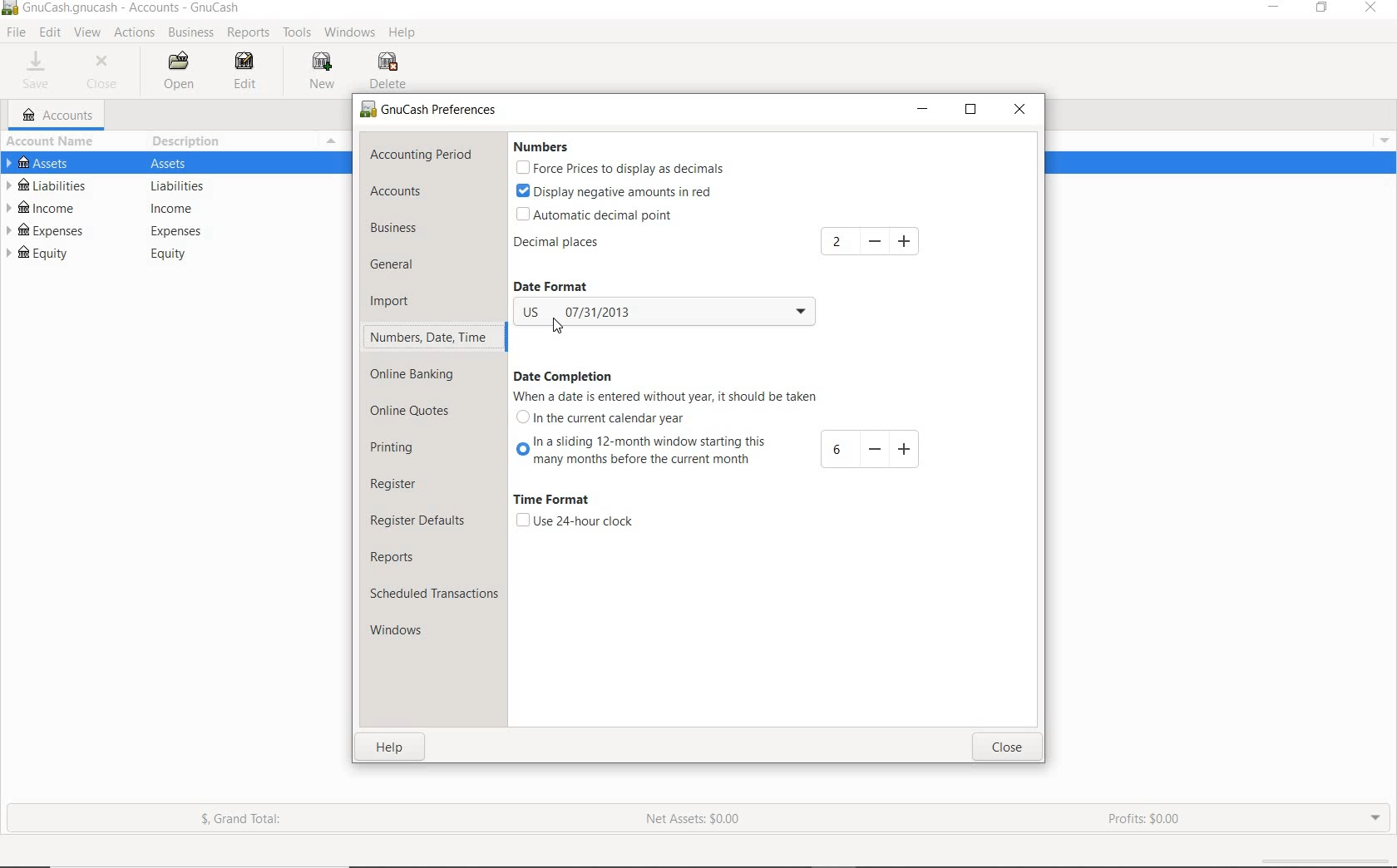 The image size is (1397, 868). What do you see at coordinates (664, 313) in the screenshot?
I see `specify date format` at bounding box center [664, 313].